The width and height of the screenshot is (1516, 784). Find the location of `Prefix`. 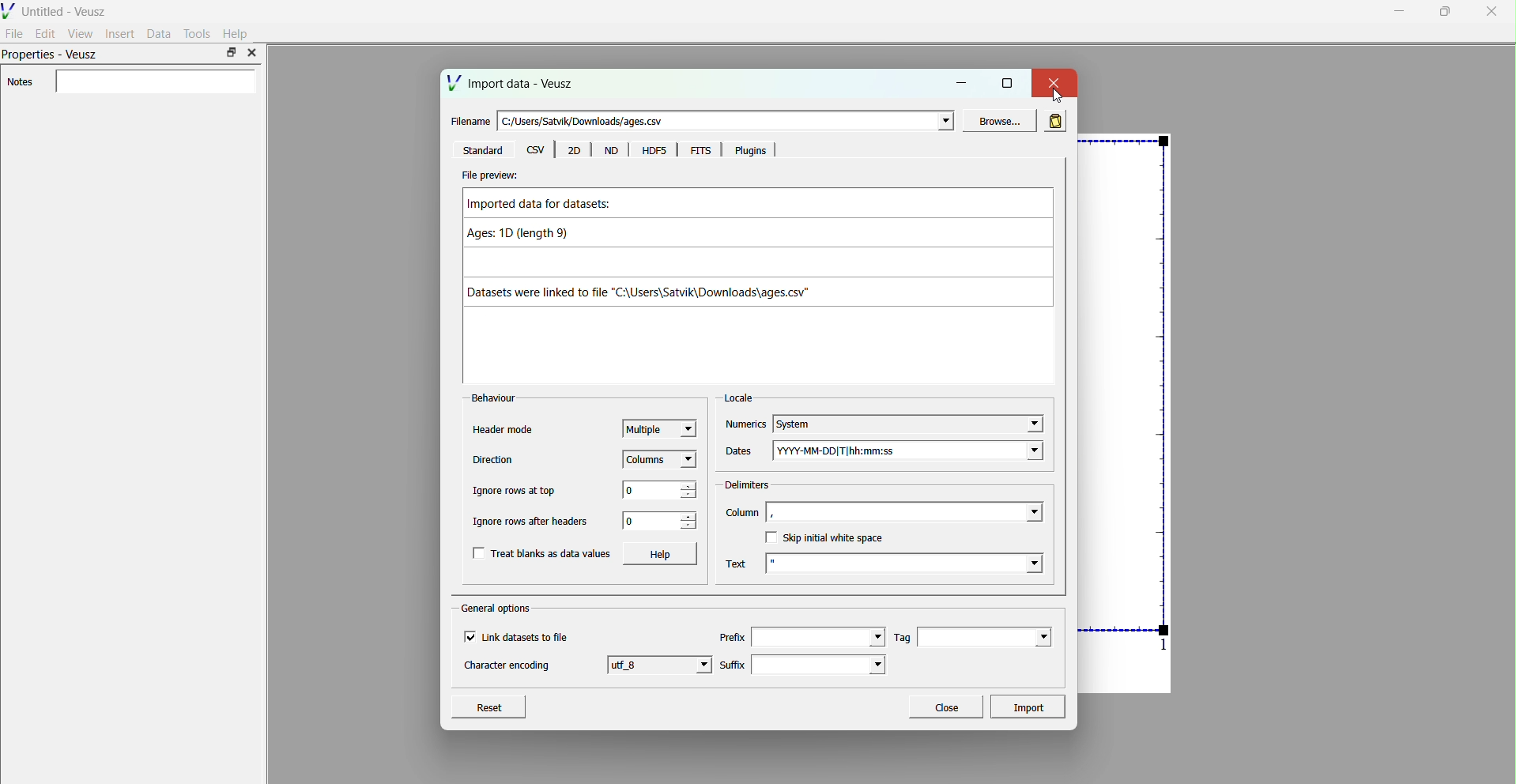

Prefix is located at coordinates (731, 637).